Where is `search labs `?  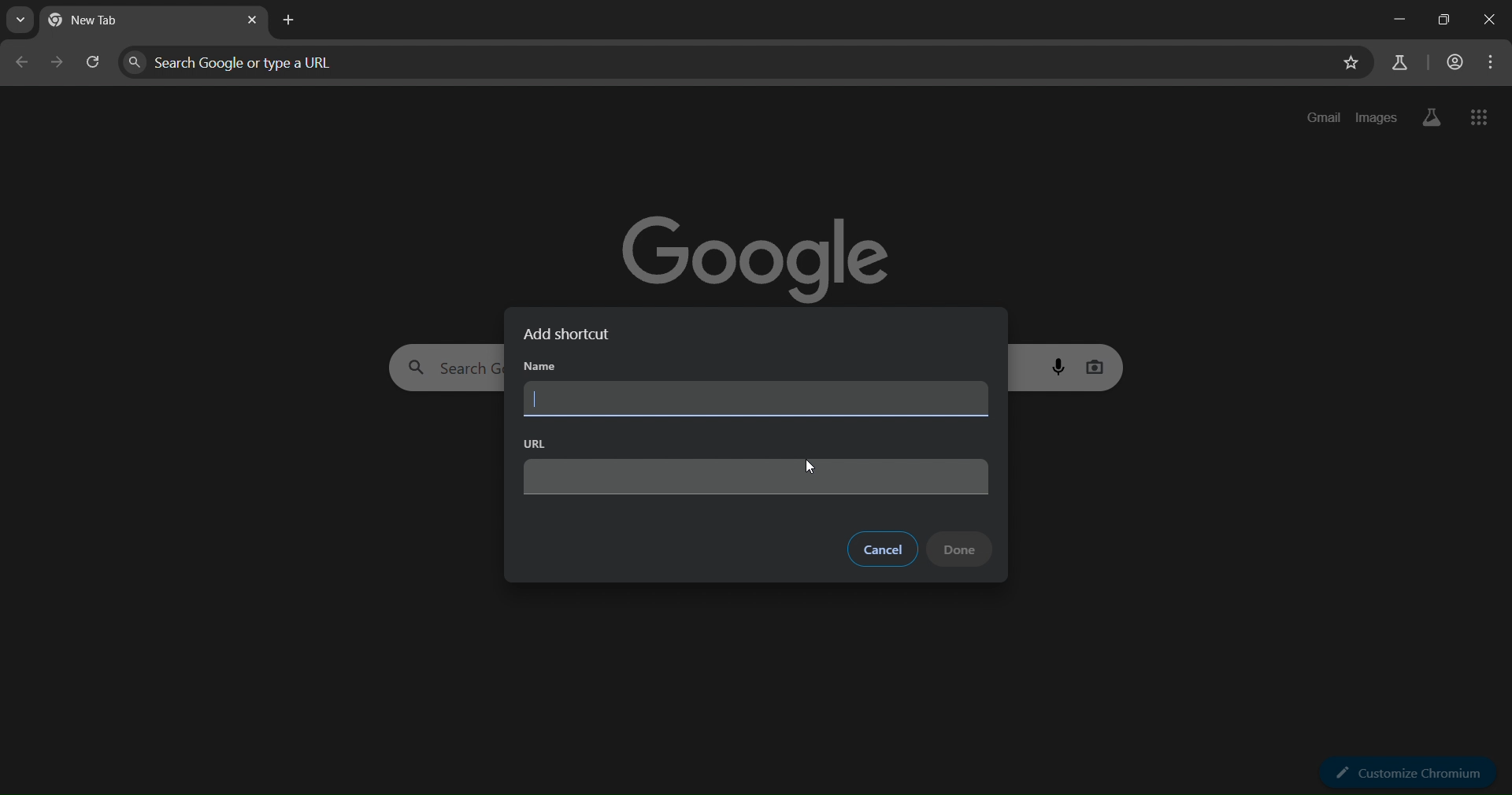
search labs  is located at coordinates (1428, 117).